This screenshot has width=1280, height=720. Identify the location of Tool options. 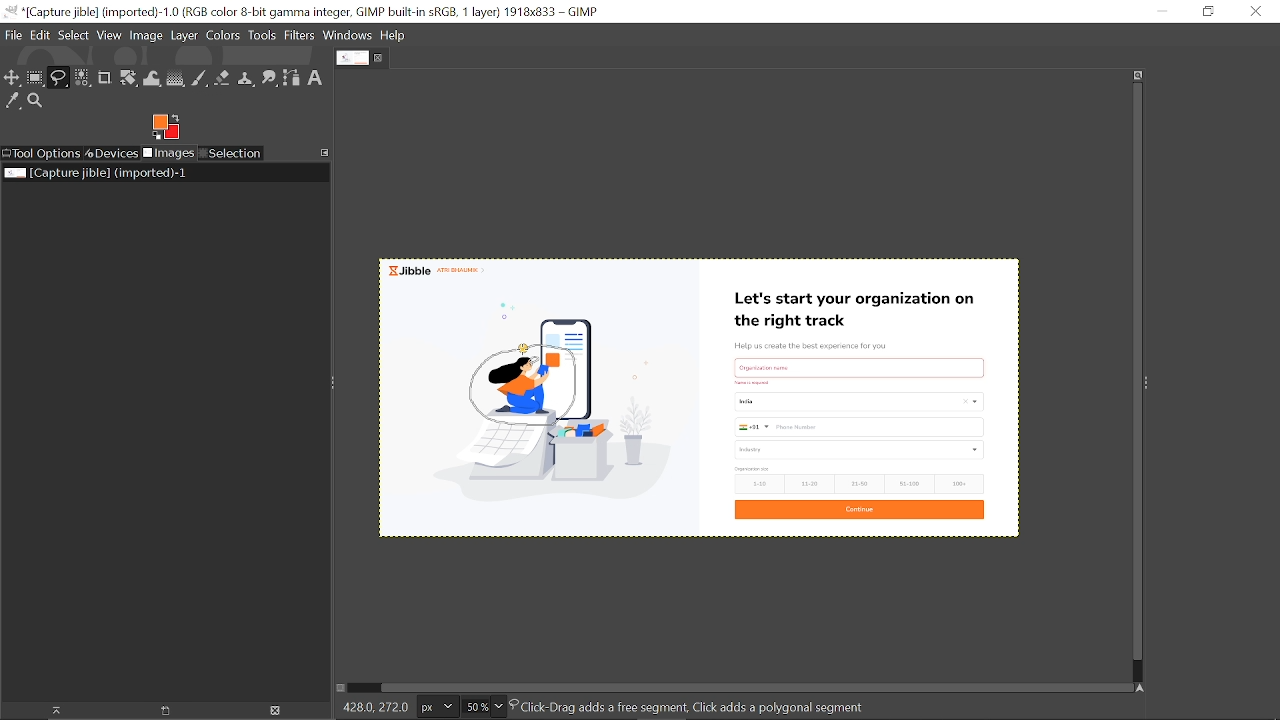
(41, 154).